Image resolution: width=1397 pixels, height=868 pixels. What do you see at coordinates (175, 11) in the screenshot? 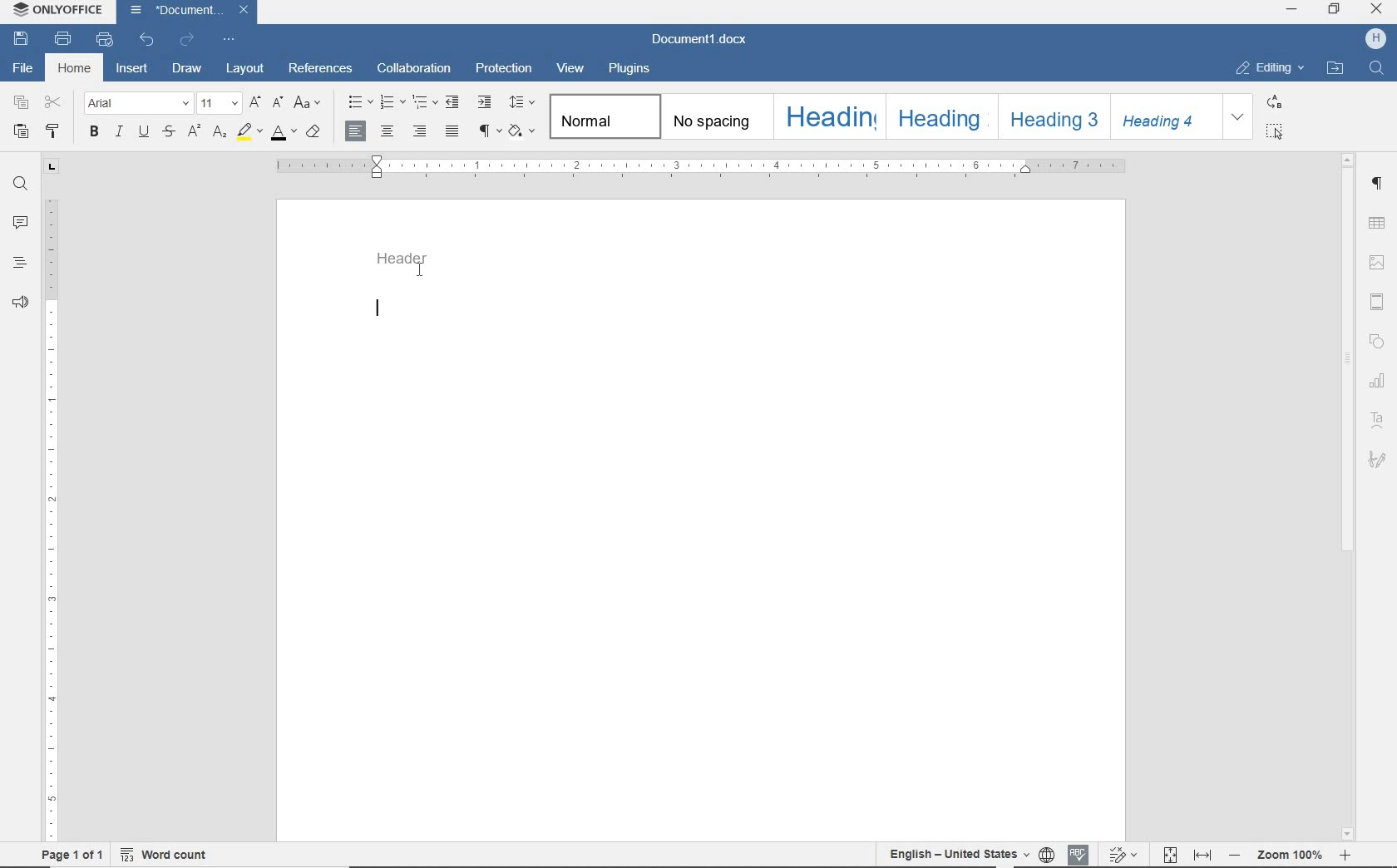
I see `document name` at bounding box center [175, 11].